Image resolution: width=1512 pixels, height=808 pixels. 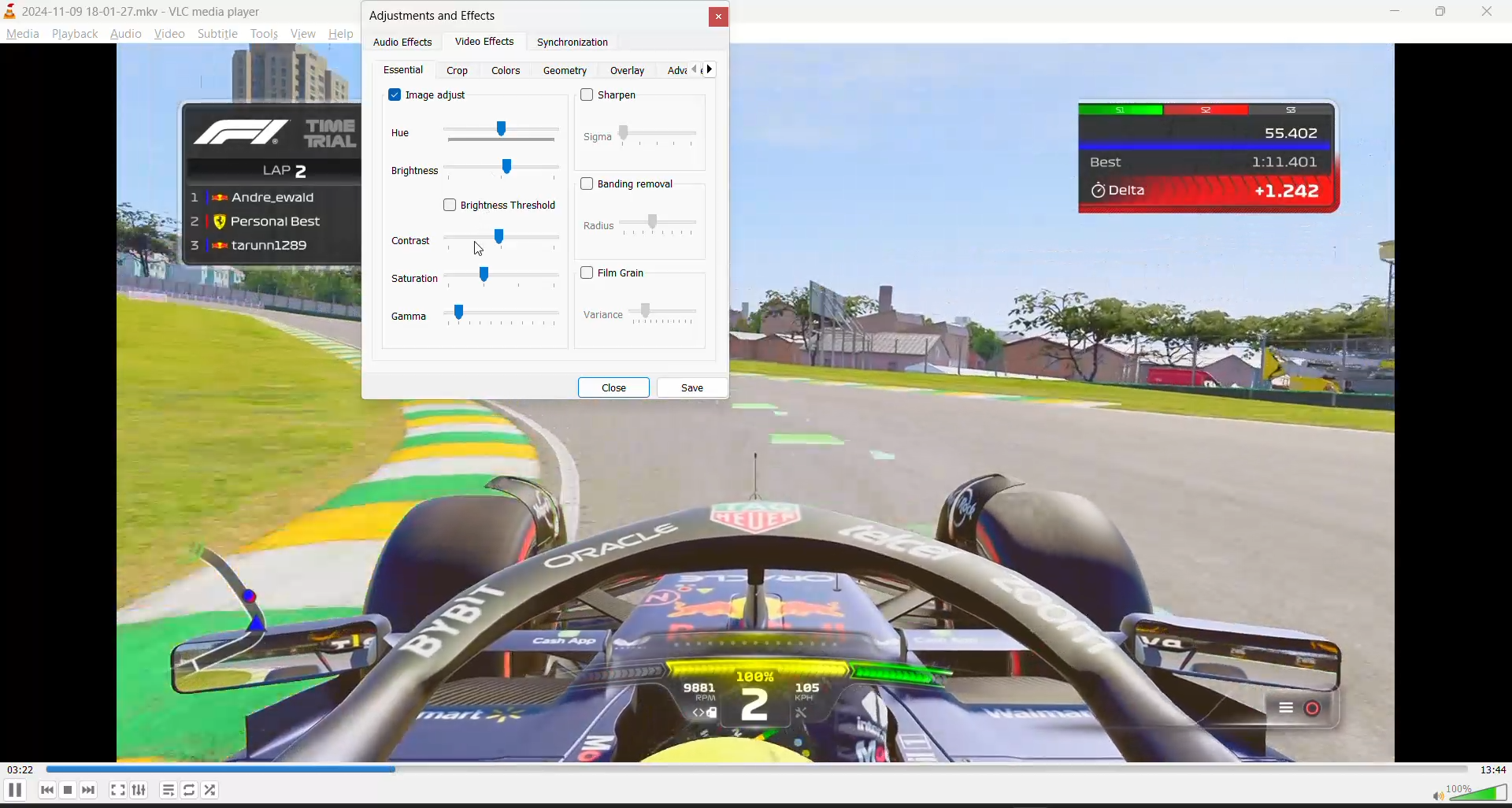 What do you see at coordinates (611, 272) in the screenshot?
I see `film grain` at bounding box center [611, 272].